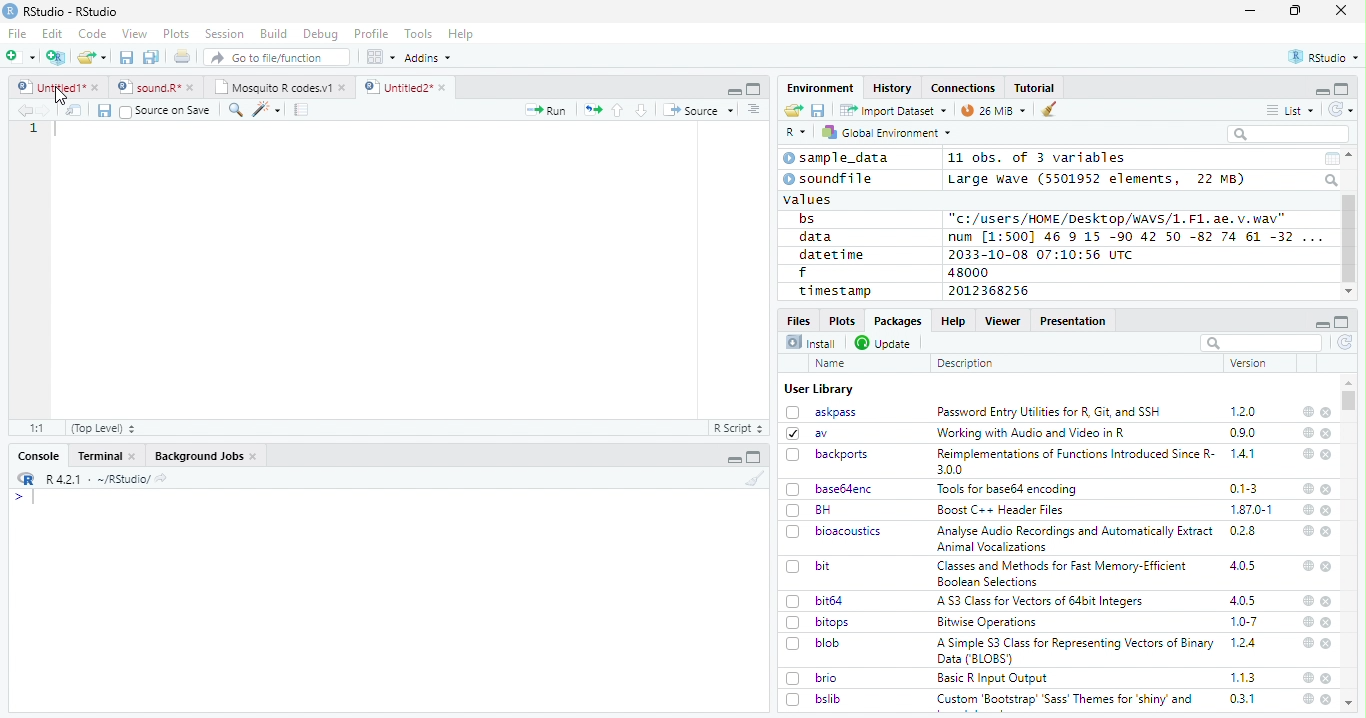  I want to click on Source on Save, so click(164, 110).